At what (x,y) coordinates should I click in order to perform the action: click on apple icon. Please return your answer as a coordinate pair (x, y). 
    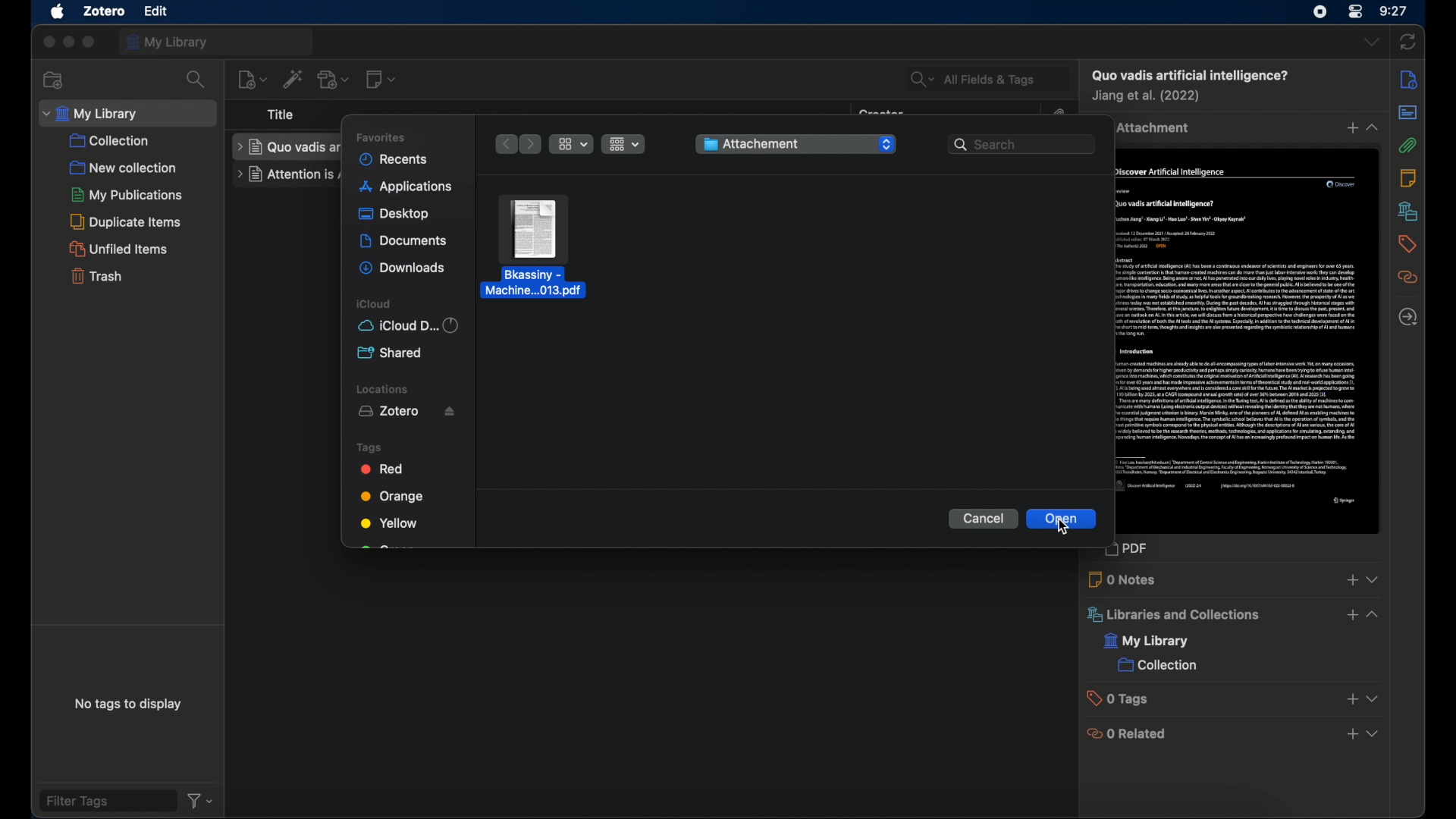
    Looking at the image, I should click on (58, 12).